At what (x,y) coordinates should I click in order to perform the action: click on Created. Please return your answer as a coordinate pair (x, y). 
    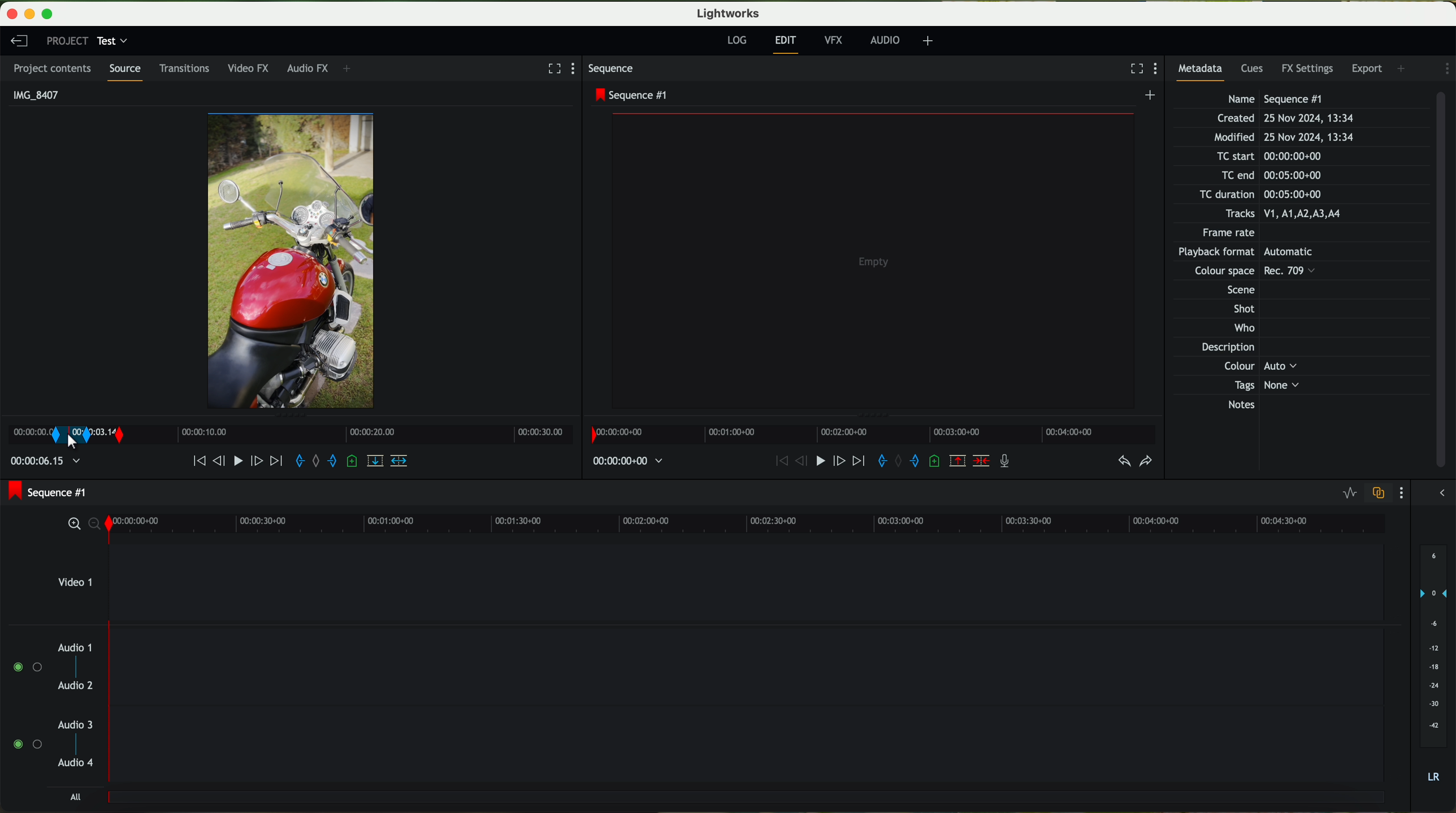
    Looking at the image, I should click on (1285, 119).